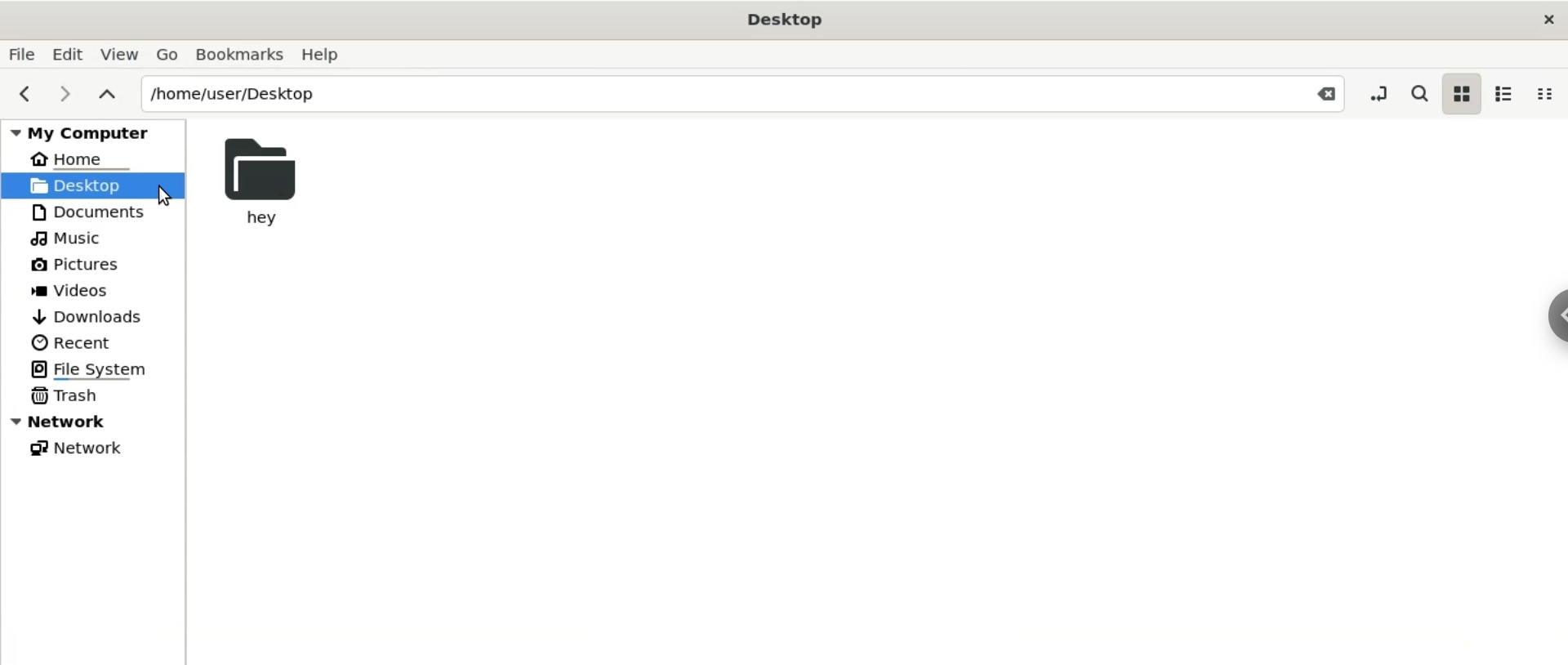  Describe the element at coordinates (118, 54) in the screenshot. I see `View` at that location.